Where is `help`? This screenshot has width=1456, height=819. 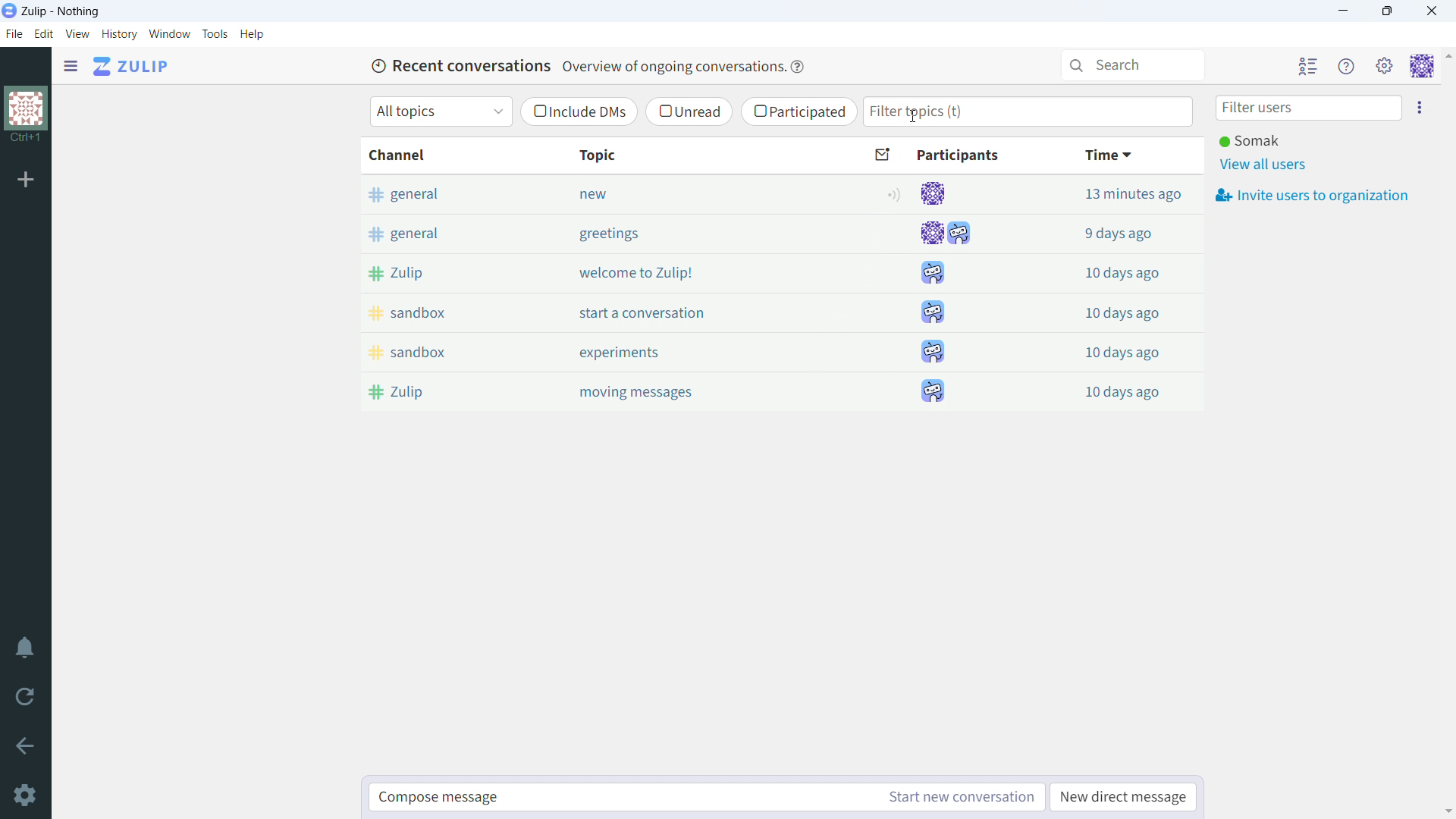
help is located at coordinates (253, 35).